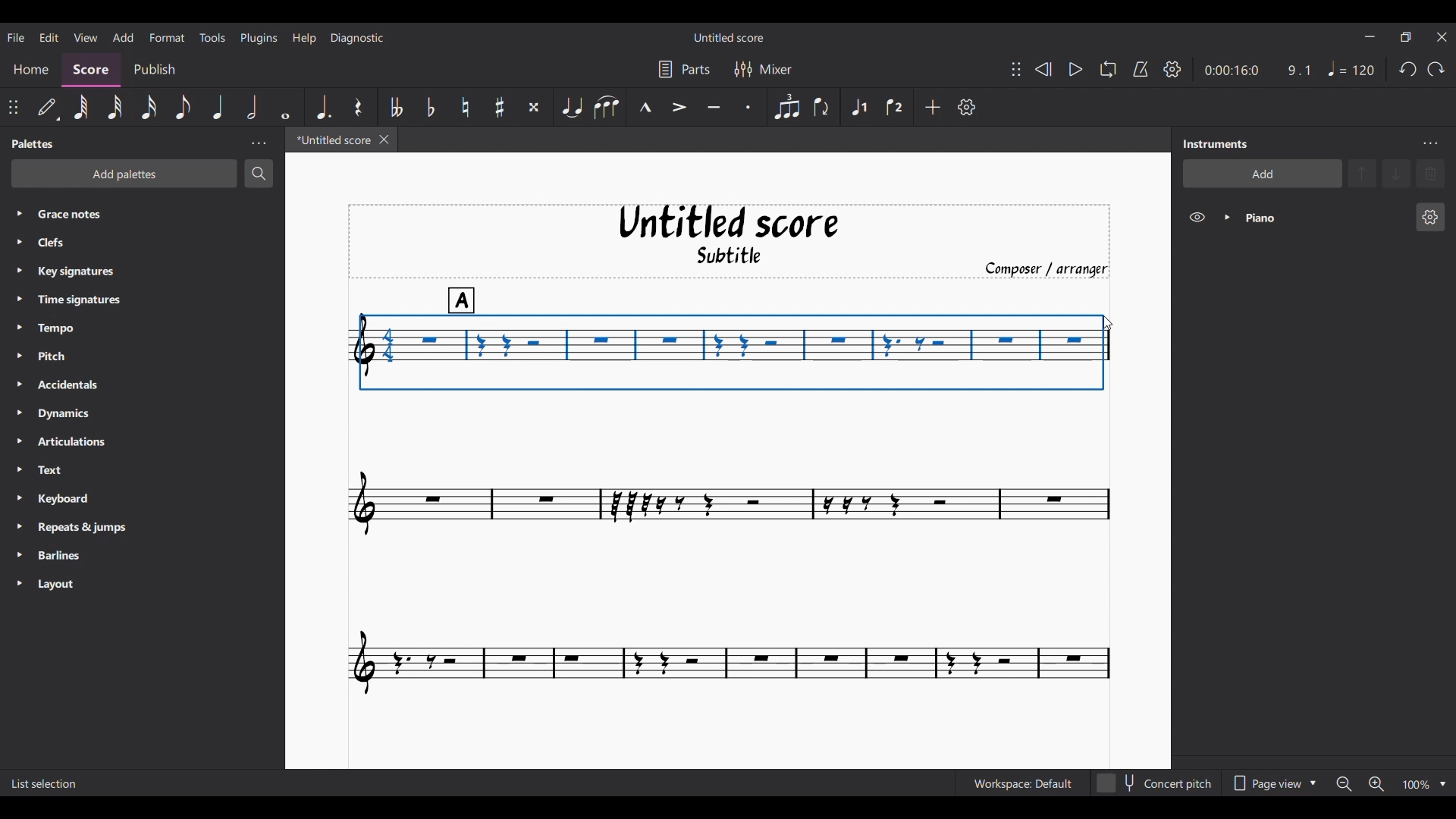 The width and height of the screenshot is (1456, 819). Describe the element at coordinates (79, 585) in the screenshot. I see `Layout` at that location.